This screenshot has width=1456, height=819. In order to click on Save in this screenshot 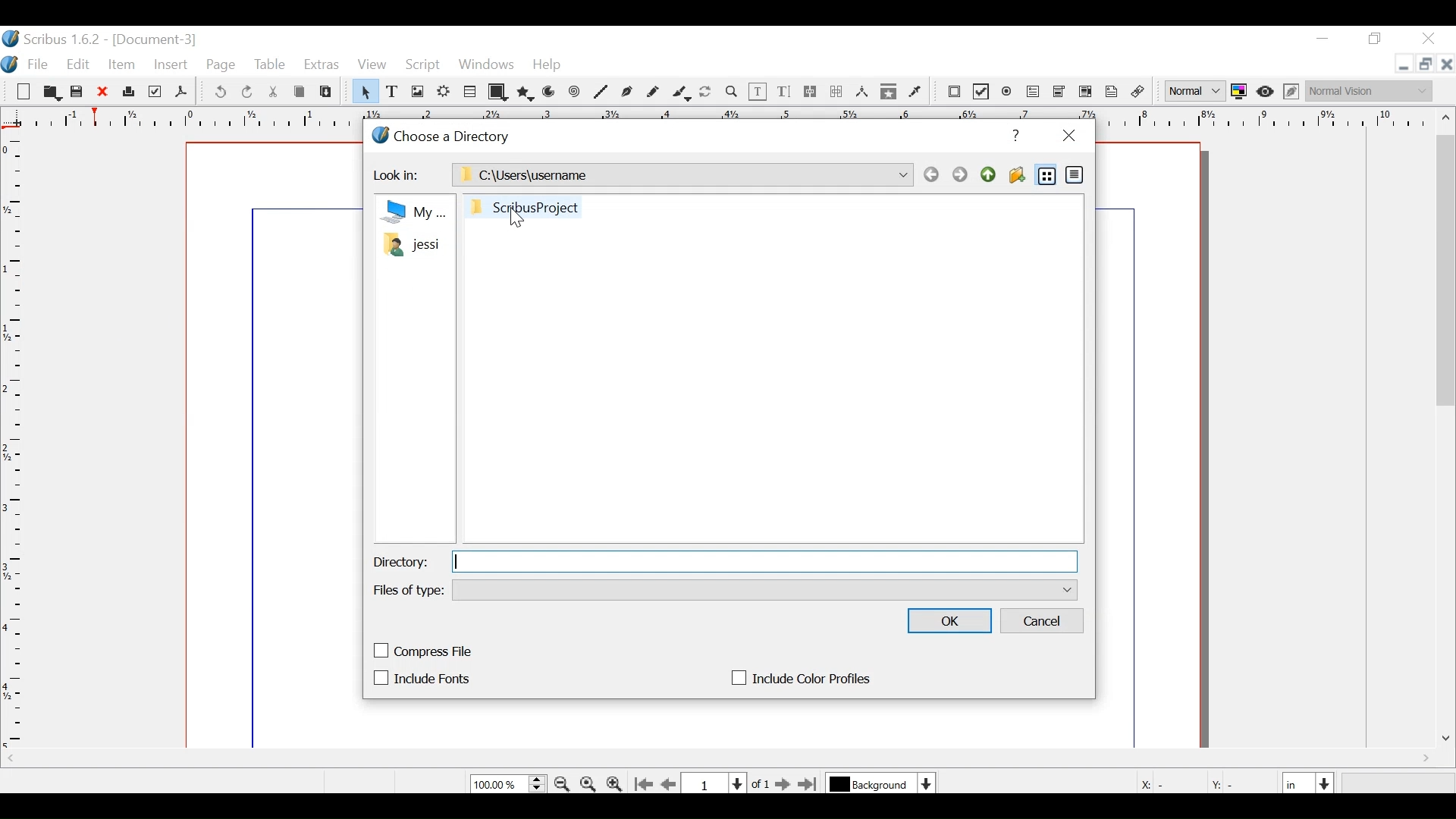, I will do `click(78, 92)`.